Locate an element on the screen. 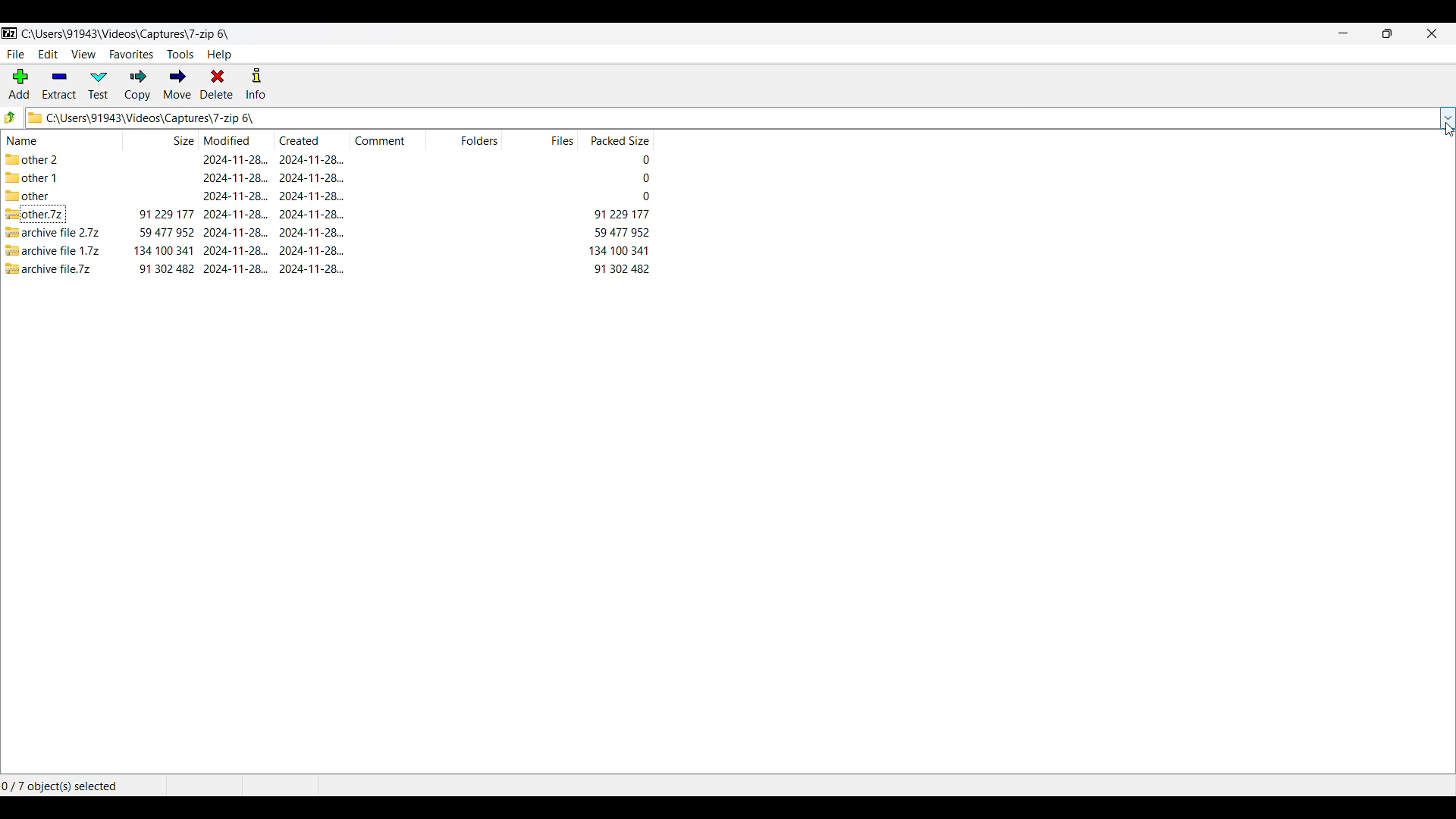 The height and width of the screenshot is (819, 1456). modified date & time is located at coordinates (236, 232).